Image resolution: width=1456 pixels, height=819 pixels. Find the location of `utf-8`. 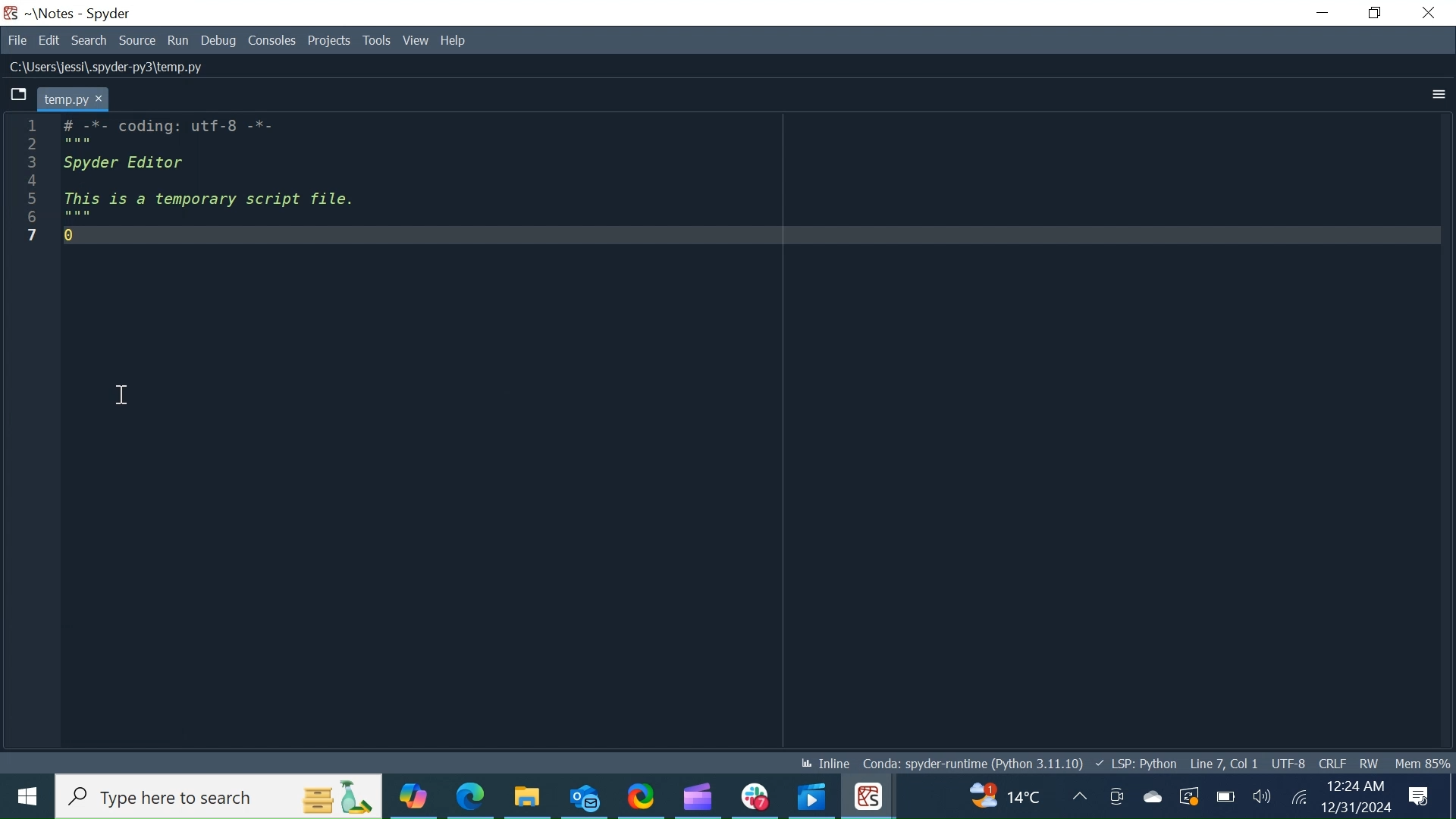

utf-8 is located at coordinates (1289, 763).